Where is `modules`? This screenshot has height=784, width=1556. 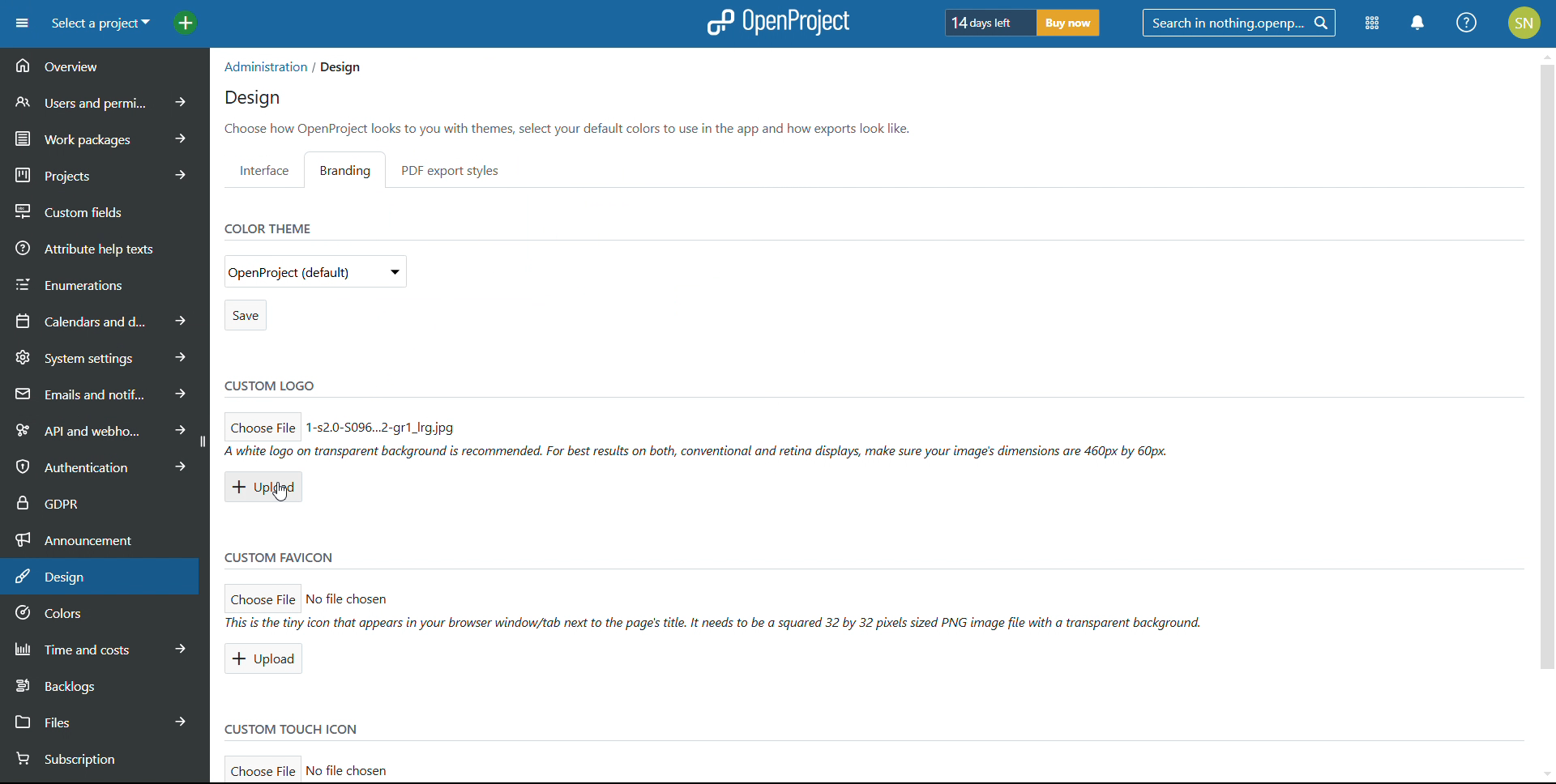
modules is located at coordinates (1371, 24).